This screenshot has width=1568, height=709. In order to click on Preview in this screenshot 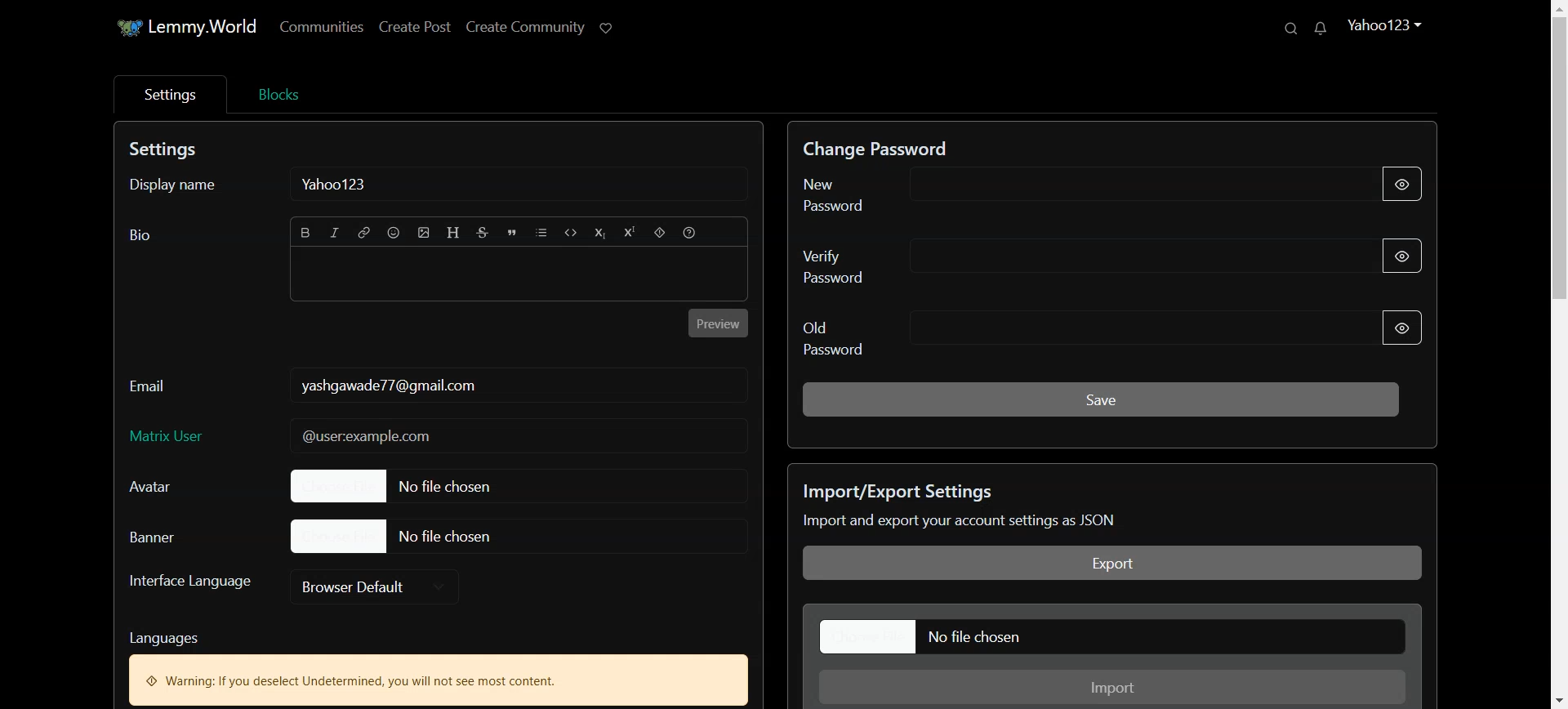, I will do `click(719, 323)`.